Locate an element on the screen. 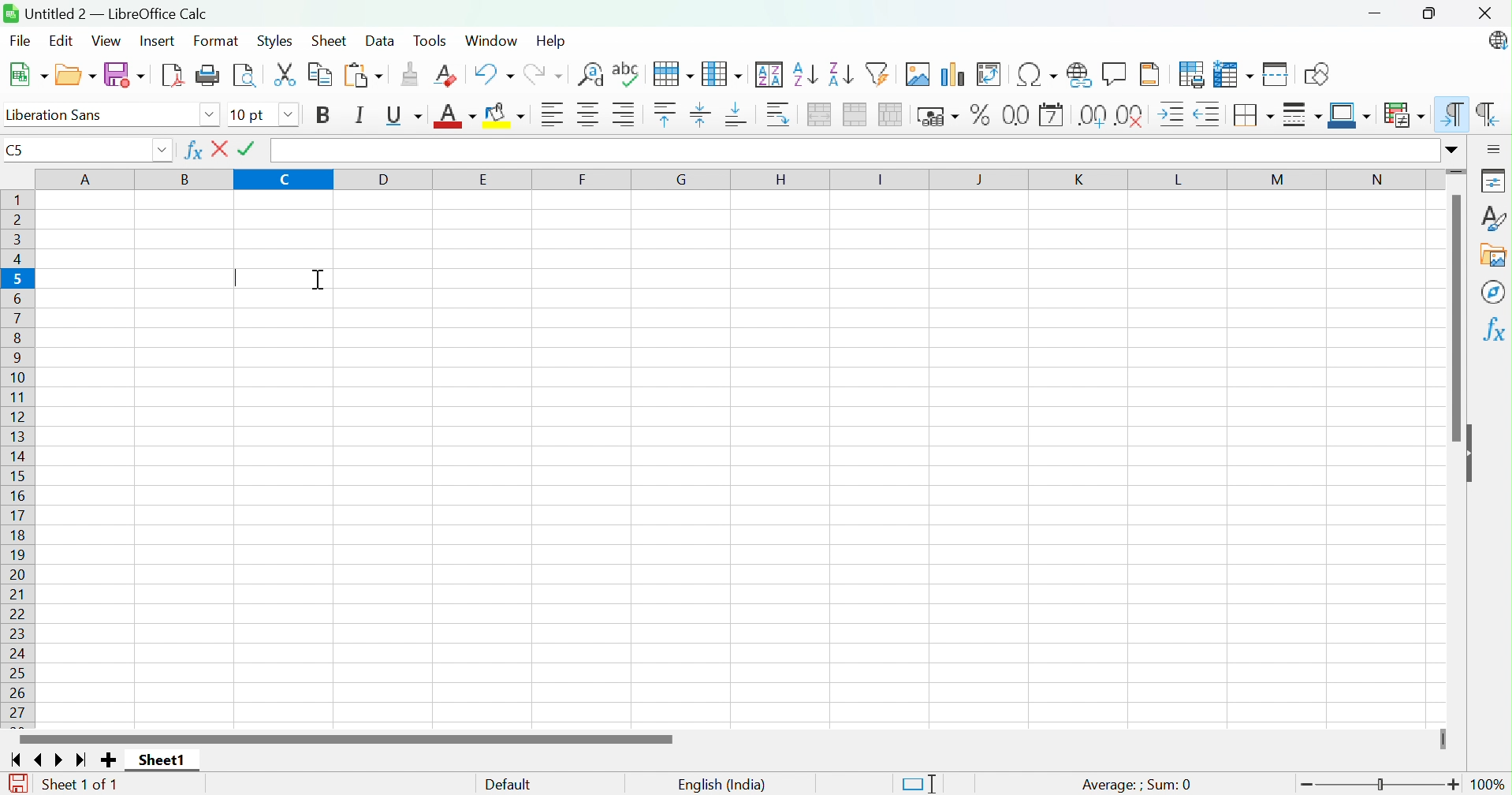 This screenshot has height=795, width=1512. Styles is located at coordinates (275, 39).